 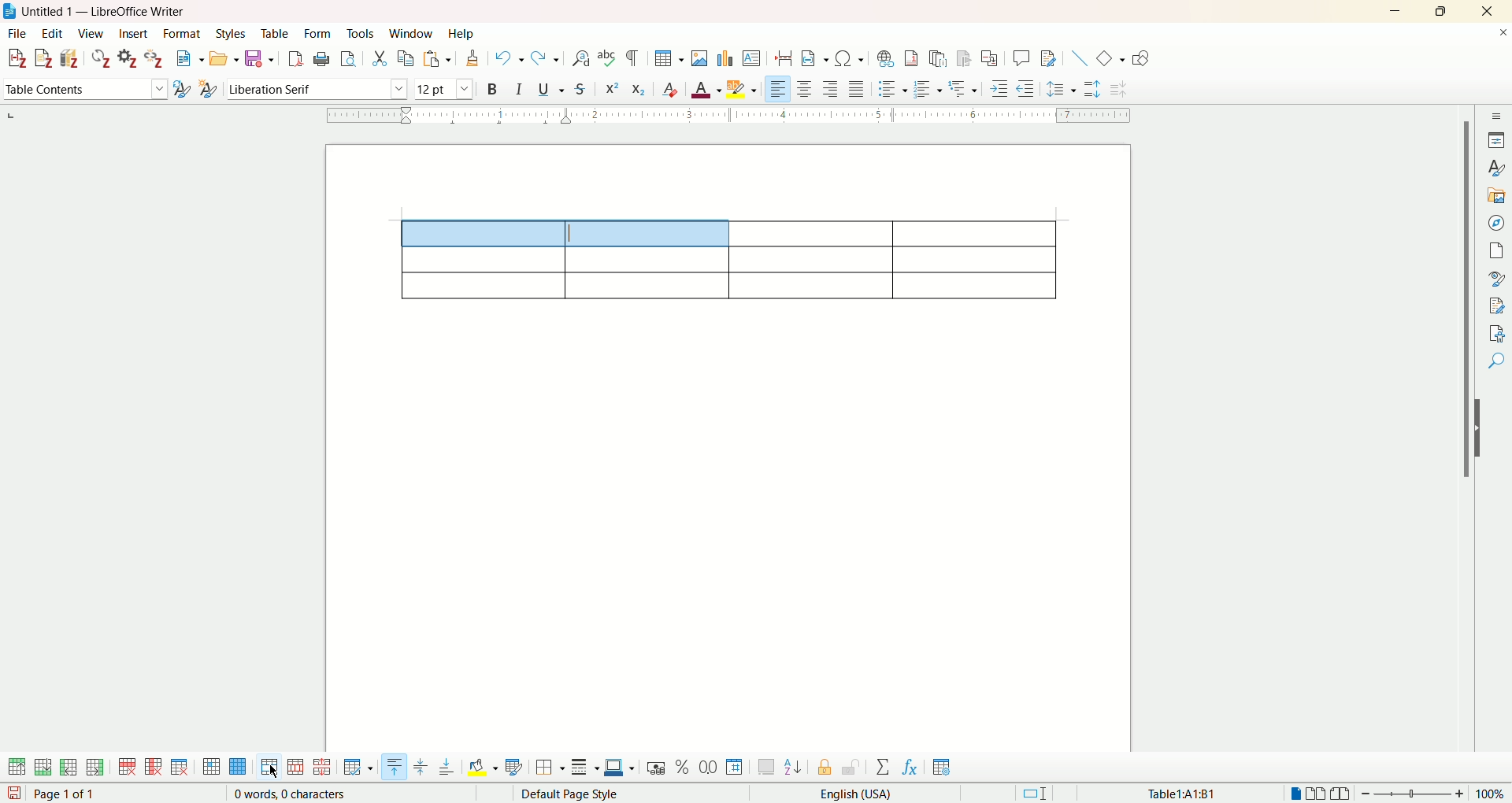 I want to click on insert cross-reference, so click(x=993, y=57).